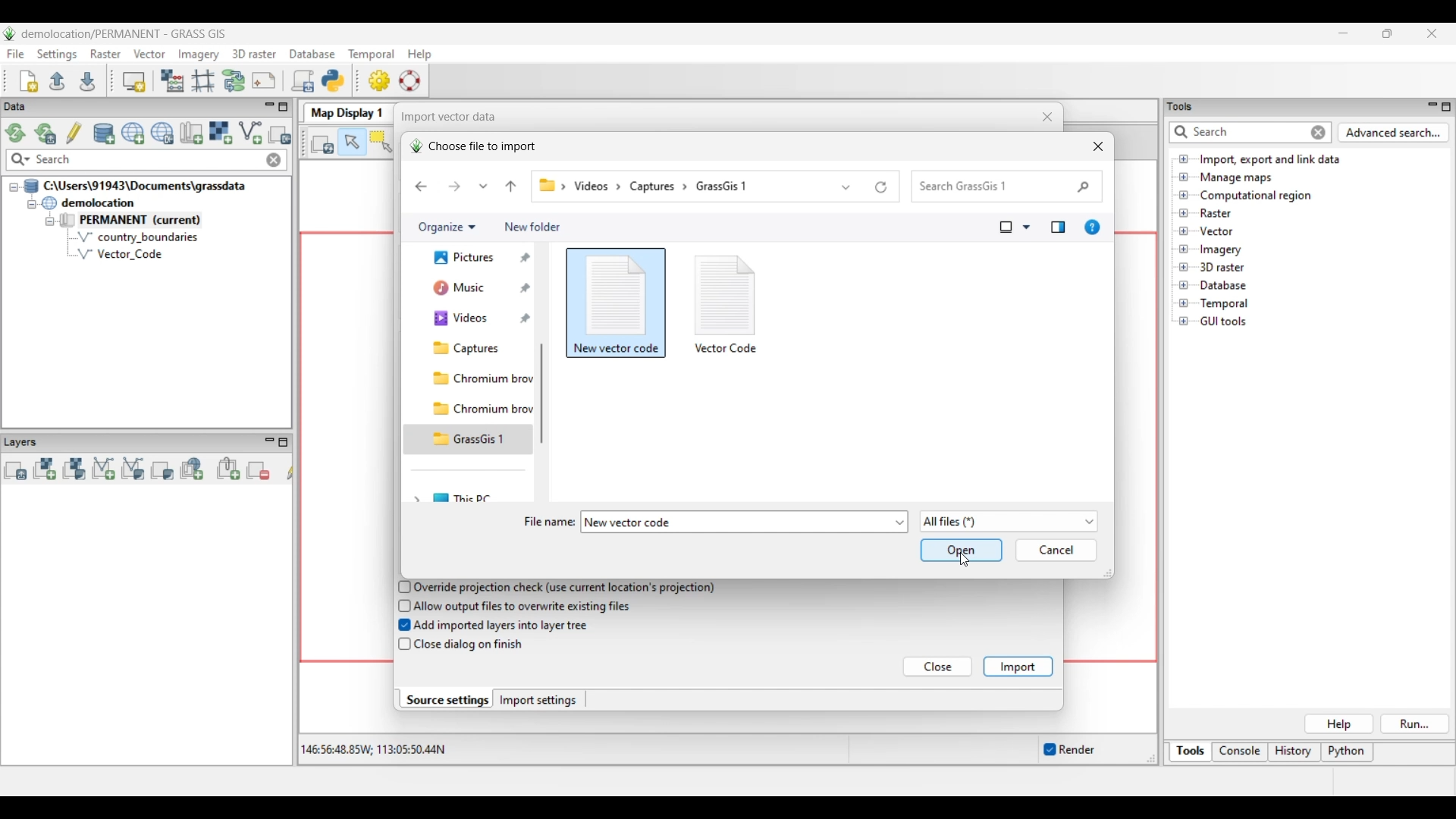  Describe the element at coordinates (484, 186) in the screenshot. I see `Recent locations` at that location.